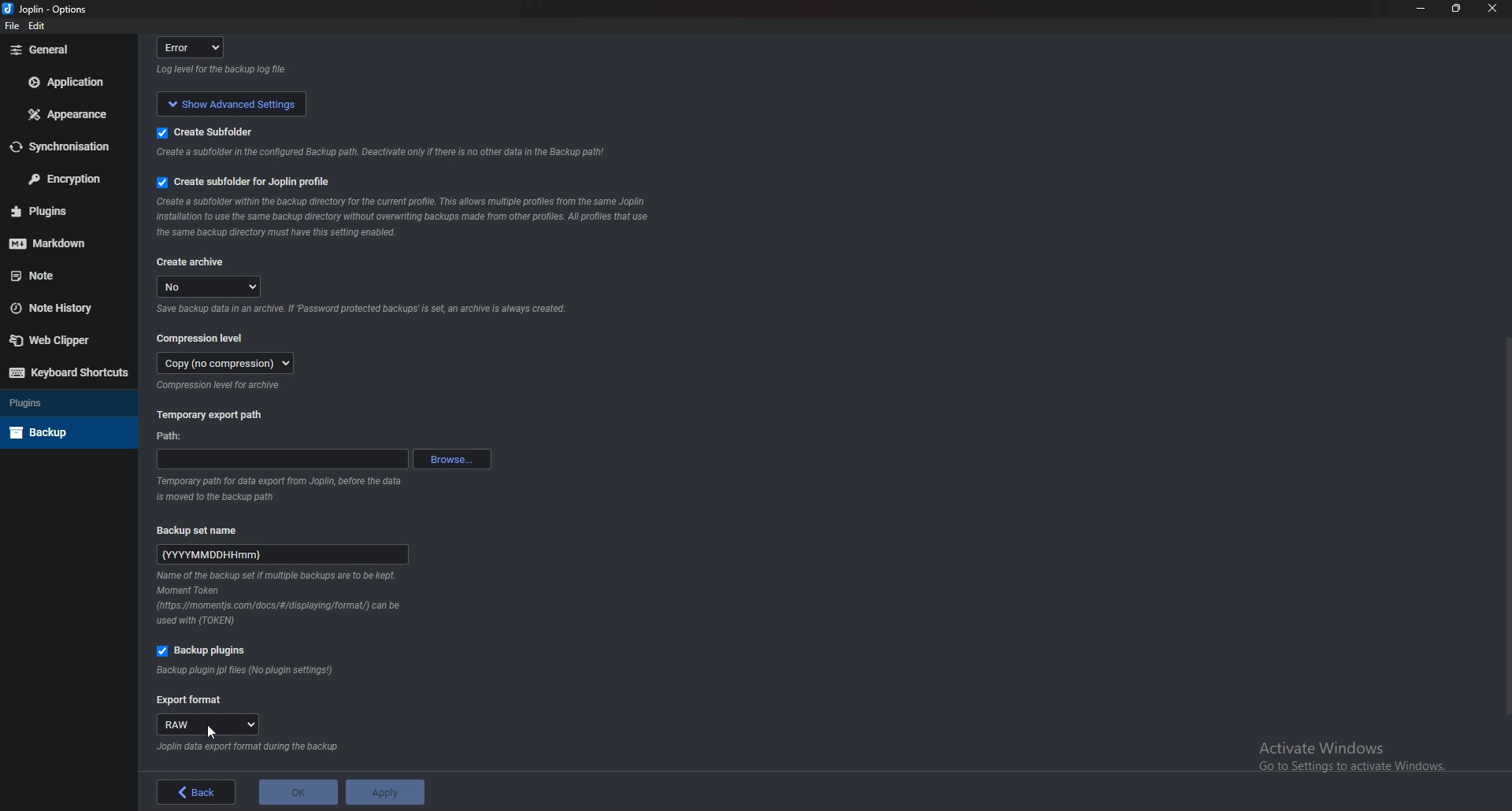 This screenshot has height=811, width=1512. What do you see at coordinates (65, 178) in the screenshot?
I see `Encryption` at bounding box center [65, 178].